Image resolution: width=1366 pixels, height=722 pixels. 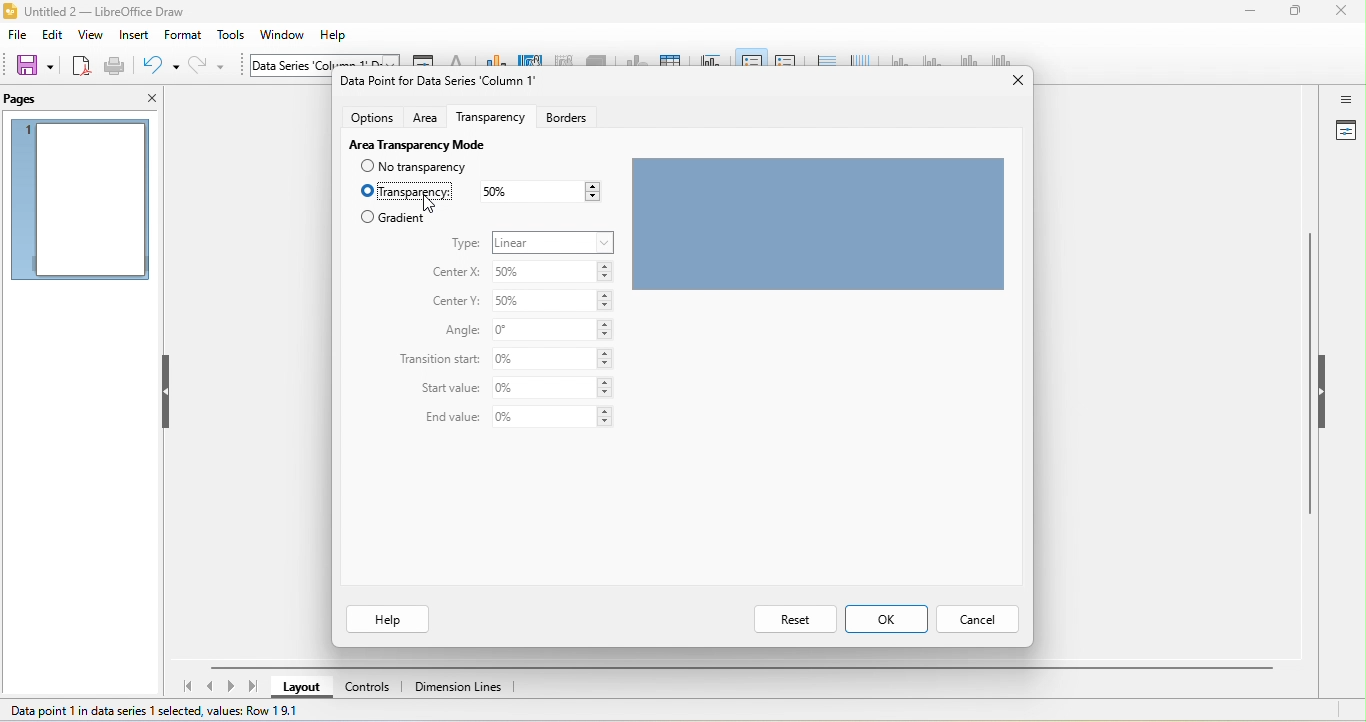 What do you see at coordinates (555, 330) in the screenshot?
I see `angle-0` at bounding box center [555, 330].